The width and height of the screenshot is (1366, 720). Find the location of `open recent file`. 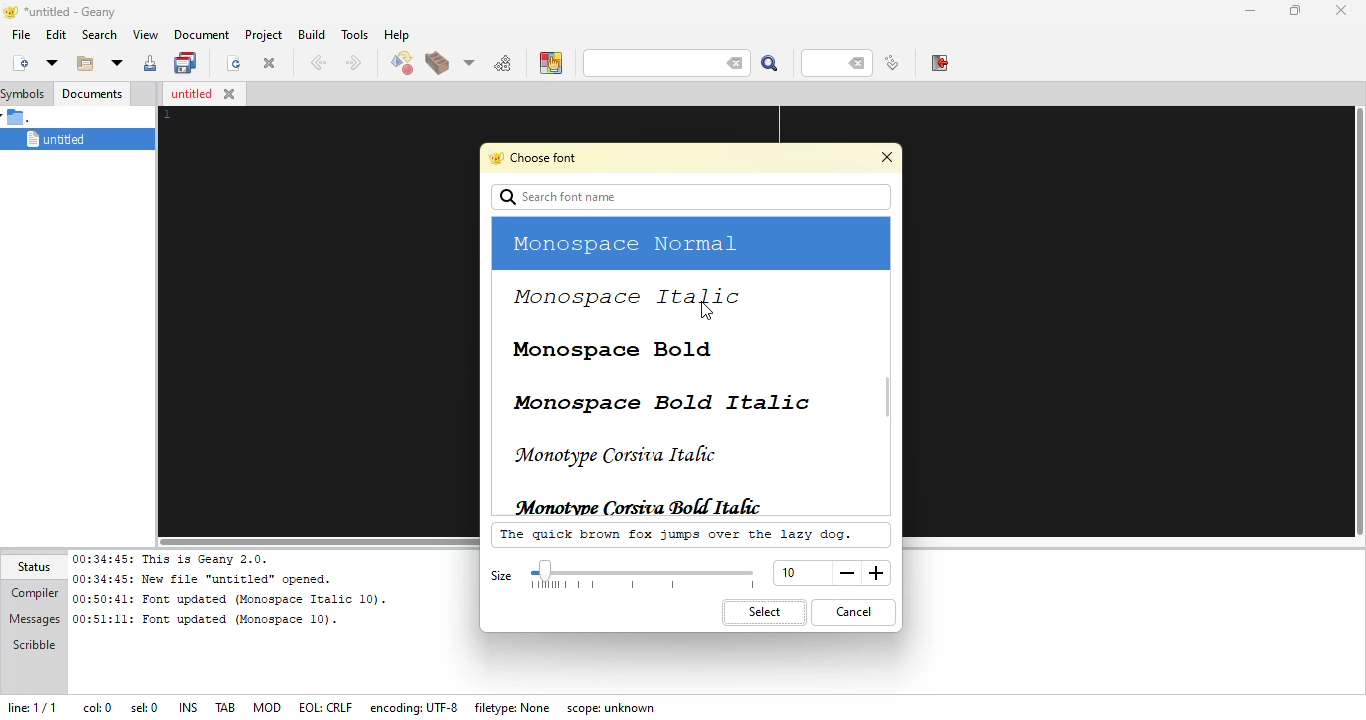

open recent file is located at coordinates (115, 63).